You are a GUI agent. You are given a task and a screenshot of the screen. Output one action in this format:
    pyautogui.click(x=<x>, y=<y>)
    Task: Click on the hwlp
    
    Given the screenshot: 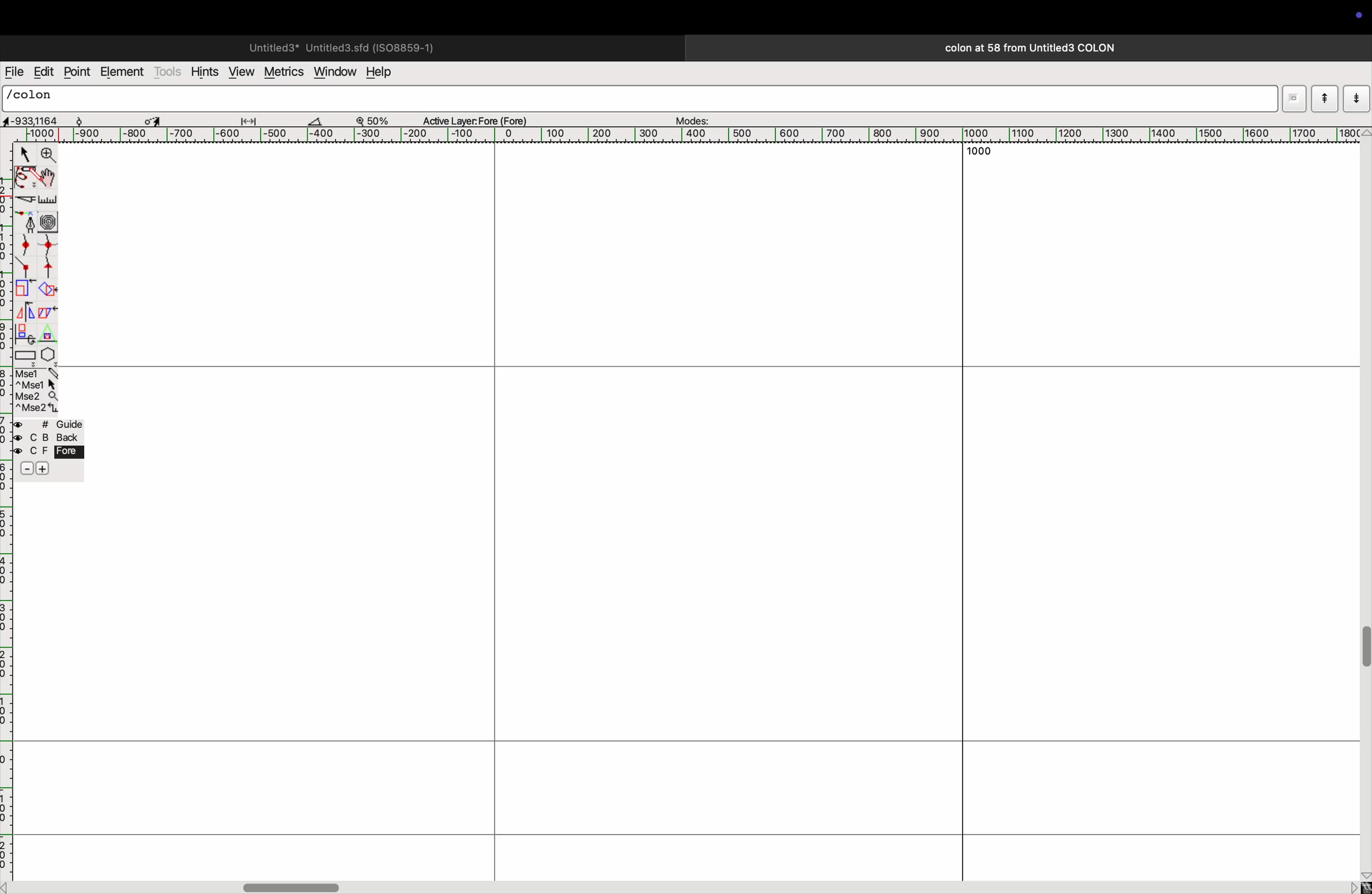 What is the action you would take?
    pyautogui.click(x=386, y=73)
    